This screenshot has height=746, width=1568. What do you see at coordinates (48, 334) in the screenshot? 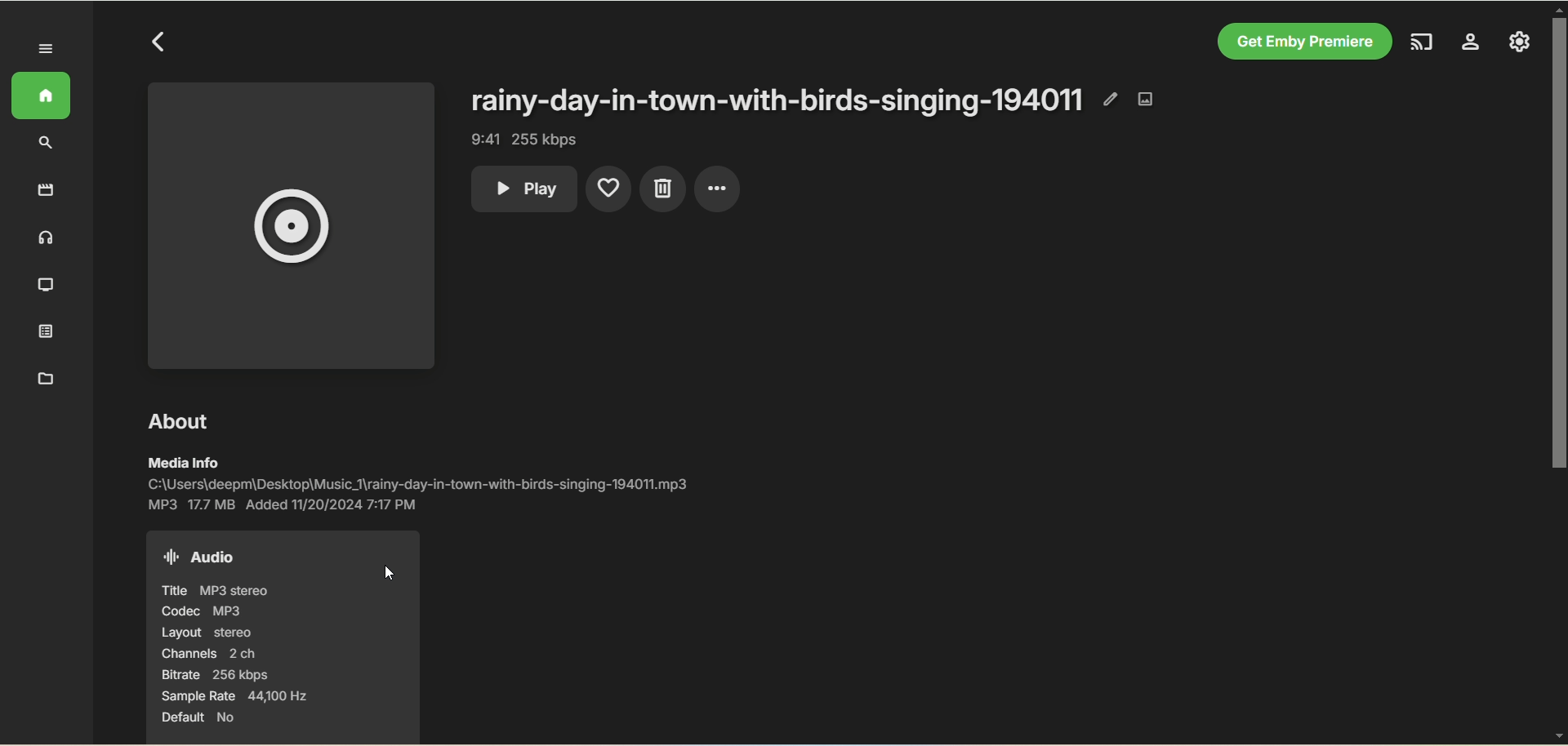
I see `playlist` at bounding box center [48, 334].